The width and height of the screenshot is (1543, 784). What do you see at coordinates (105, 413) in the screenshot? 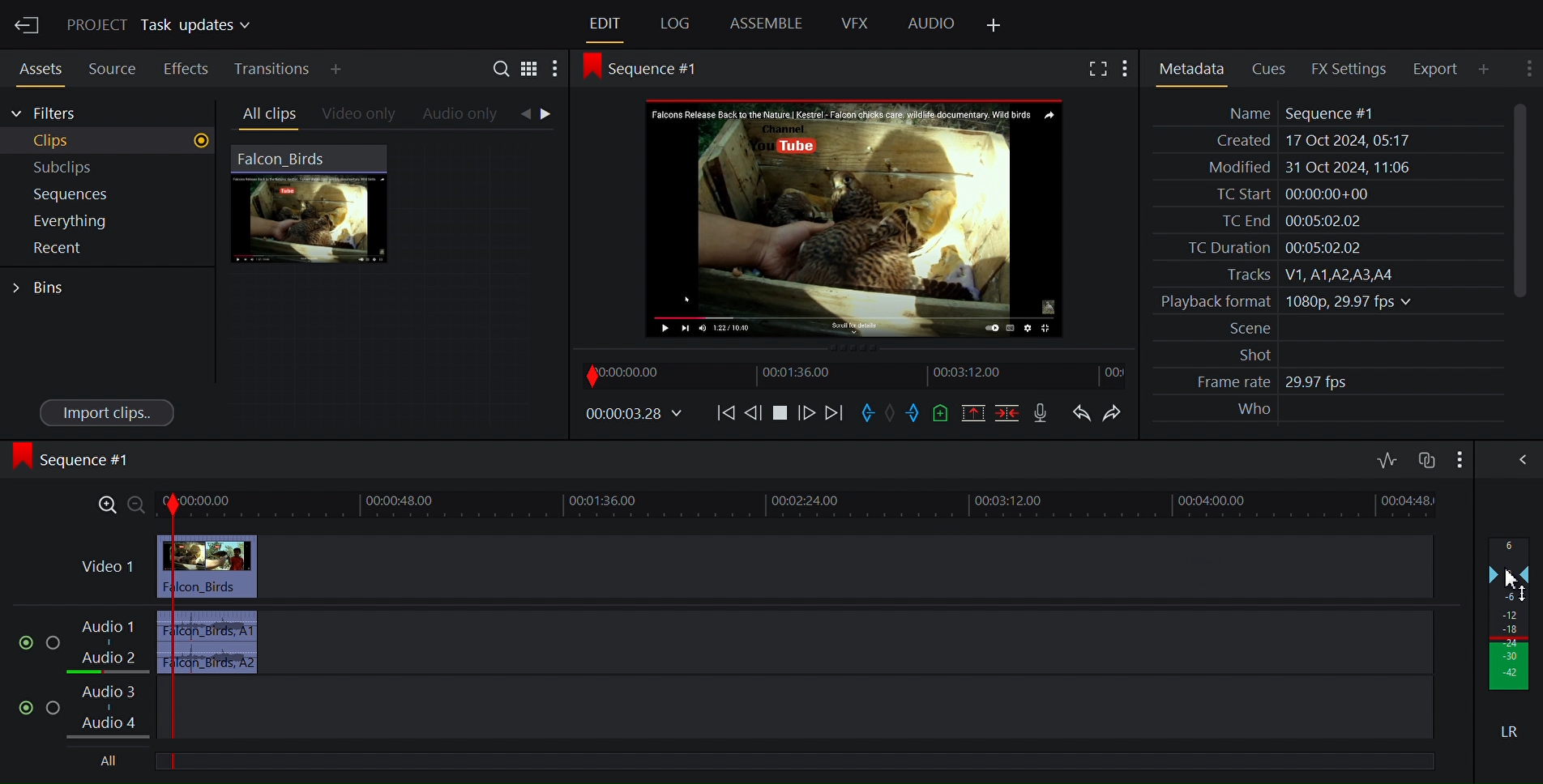
I see `Import clips` at bounding box center [105, 413].